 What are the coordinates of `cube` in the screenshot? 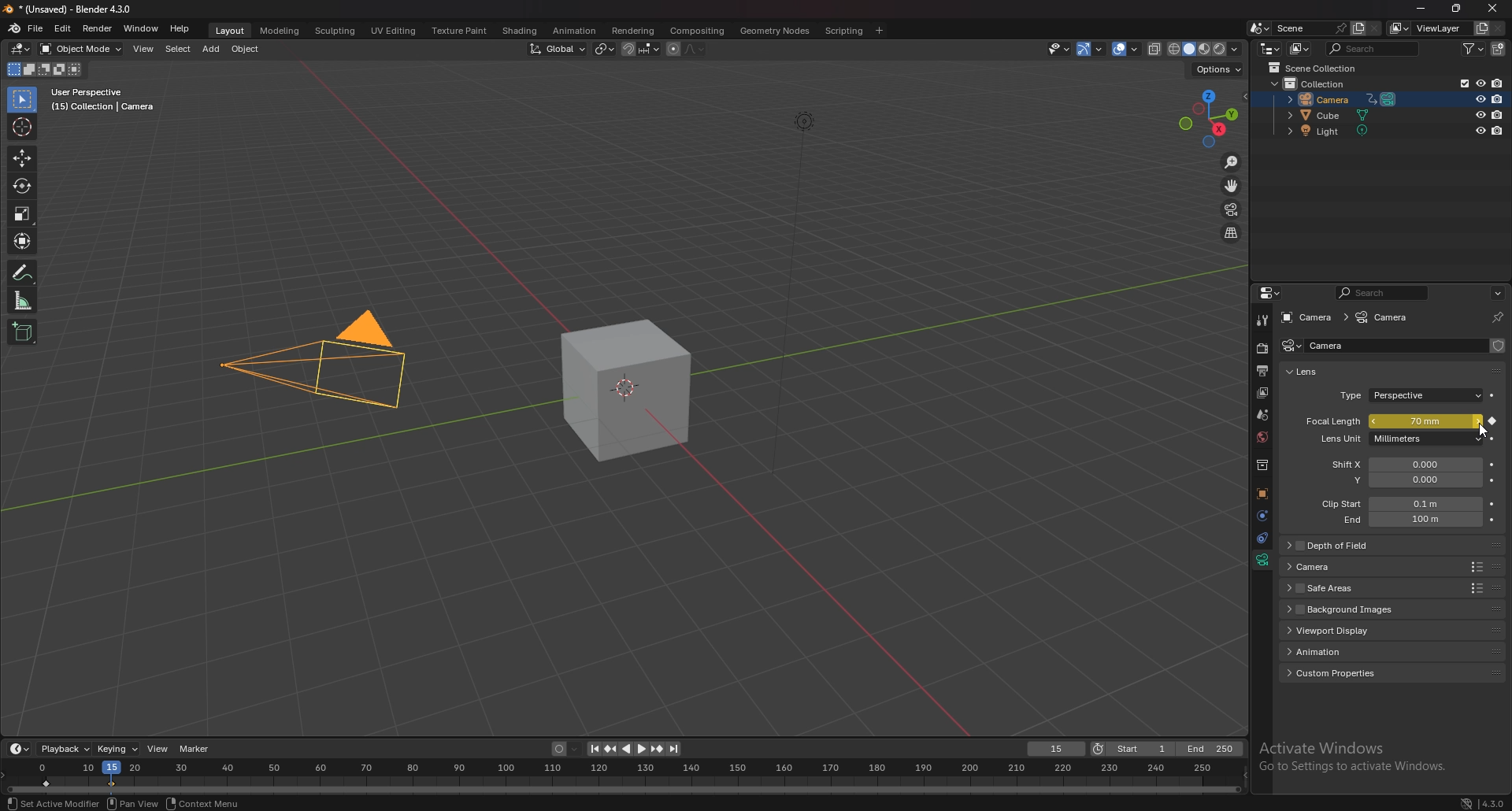 It's located at (1332, 116).